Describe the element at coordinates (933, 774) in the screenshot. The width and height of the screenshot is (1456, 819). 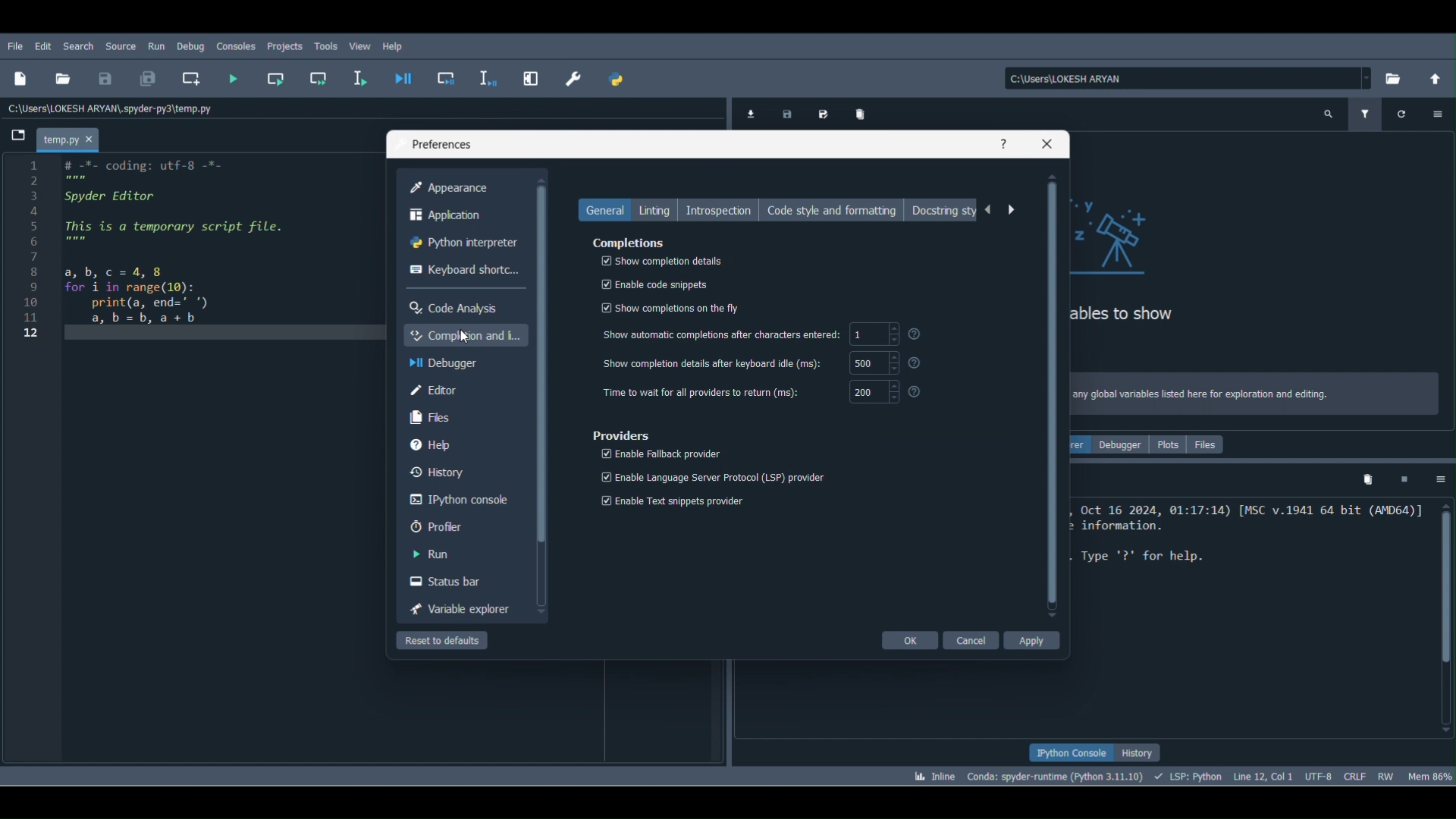
I see `Click to toggle between inline and interactive Matplotlib plotting` at that location.